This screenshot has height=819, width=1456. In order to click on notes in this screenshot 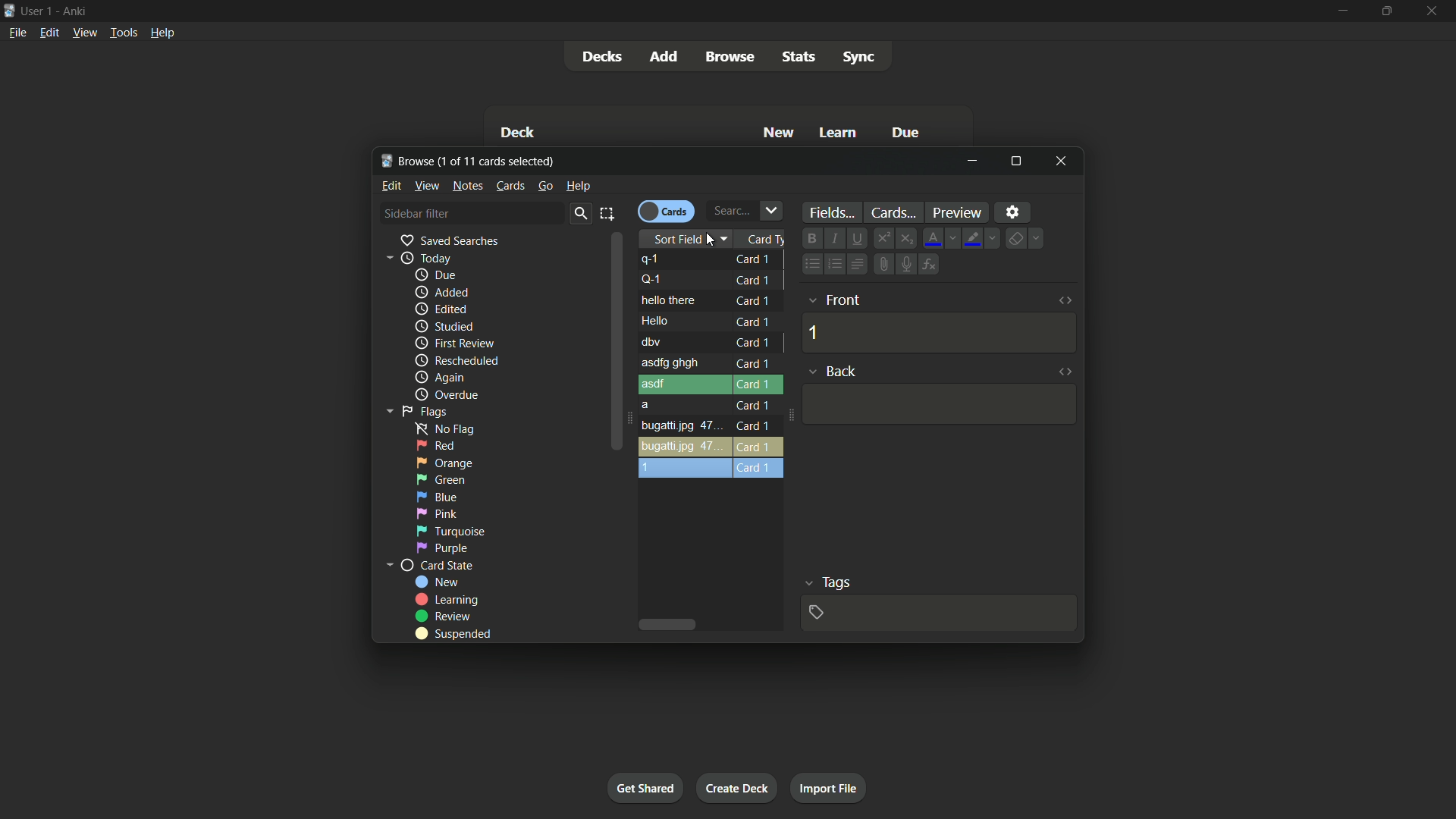, I will do `click(466, 186)`.